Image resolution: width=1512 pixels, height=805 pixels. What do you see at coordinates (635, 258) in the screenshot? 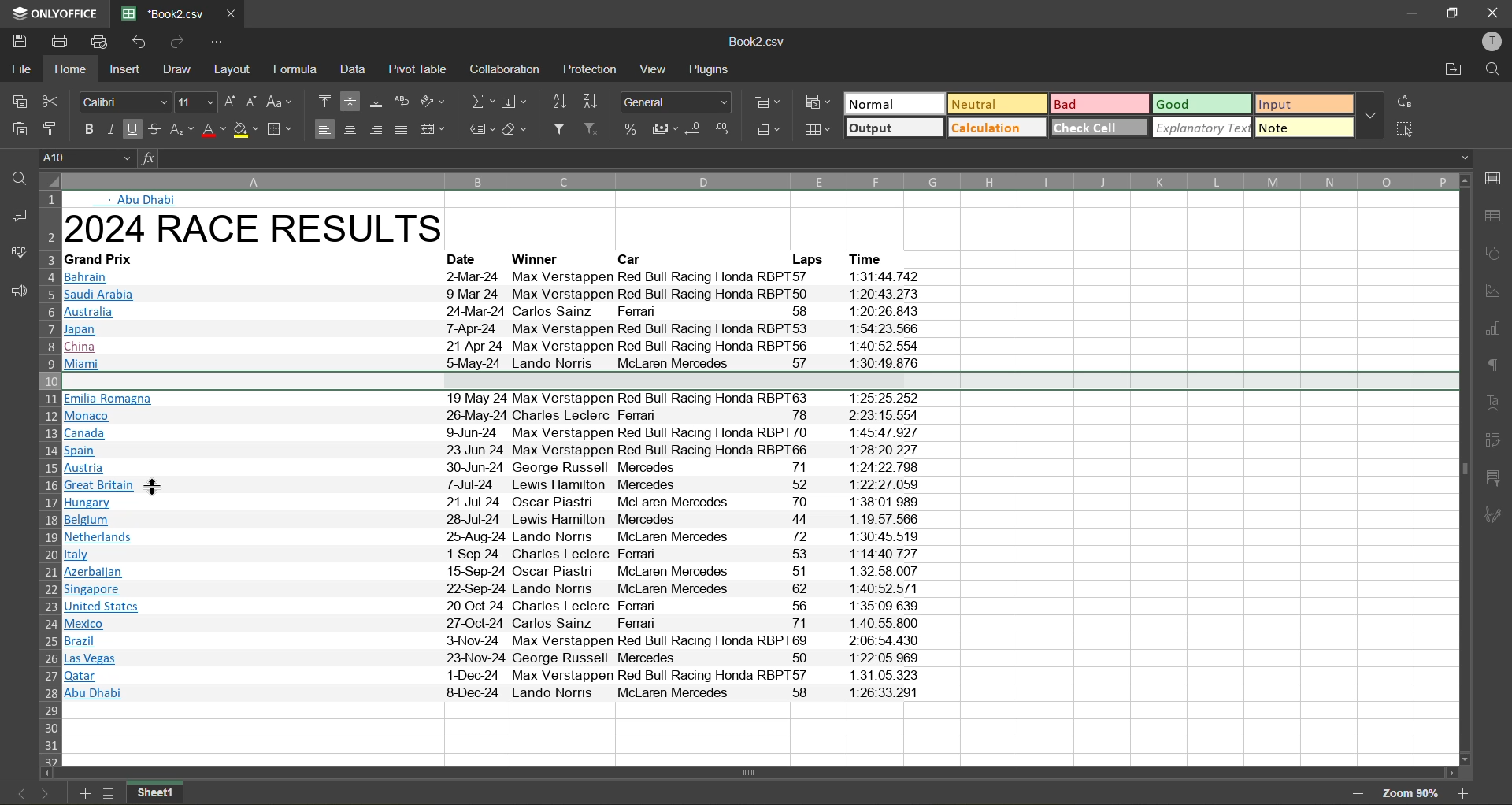
I see `Car` at bounding box center [635, 258].